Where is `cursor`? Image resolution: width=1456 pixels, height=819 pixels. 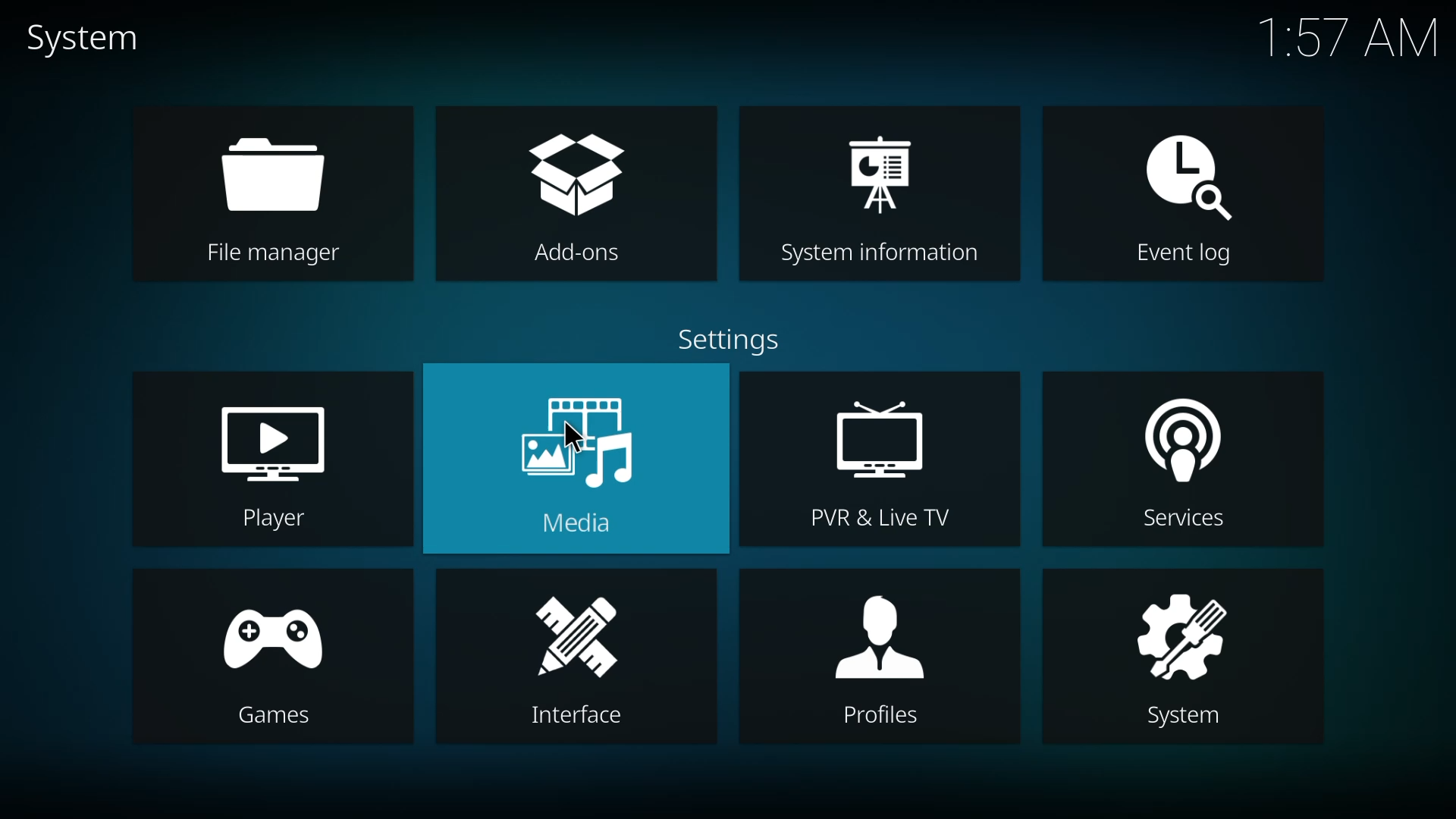 cursor is located at coordinates (573, 435).